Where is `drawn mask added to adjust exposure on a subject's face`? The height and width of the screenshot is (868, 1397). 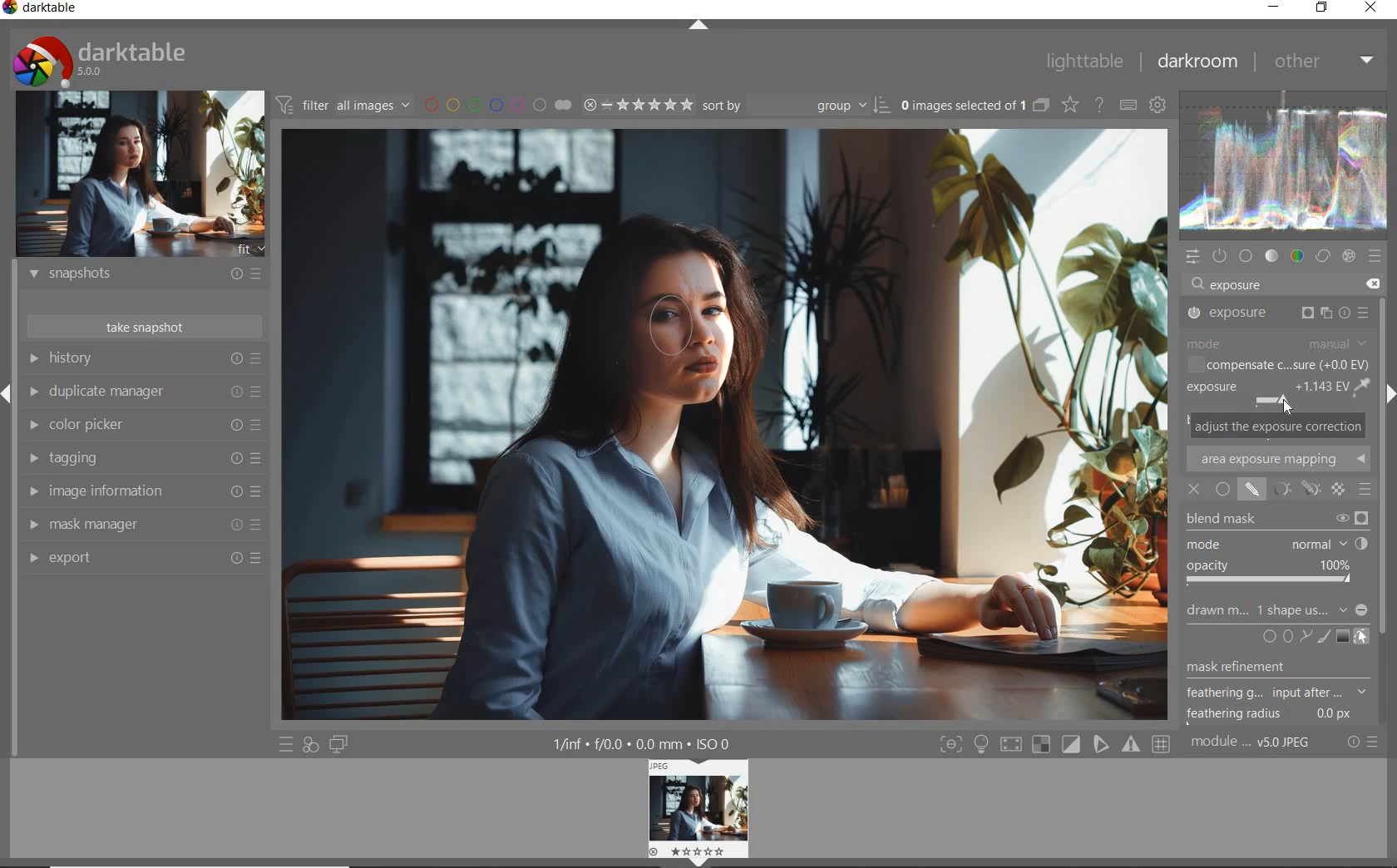
drawn mask added to adjust exposure on a subject's face is located at coordinates (675, 333).